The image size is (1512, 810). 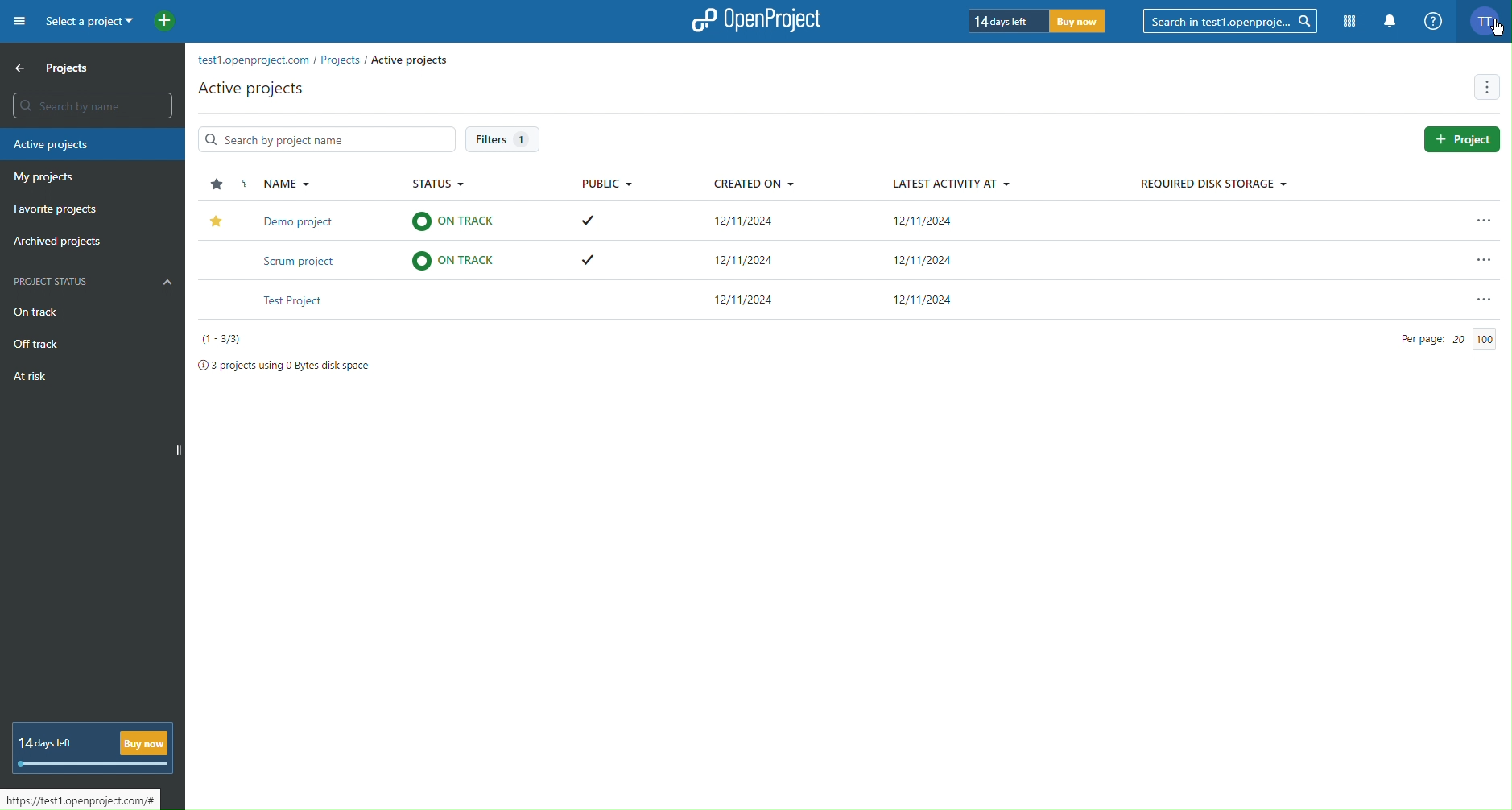 What do you see at coordinates (89, 748) in the screenshot?
I see `Trial period timer` at bounding box center [89, 748].